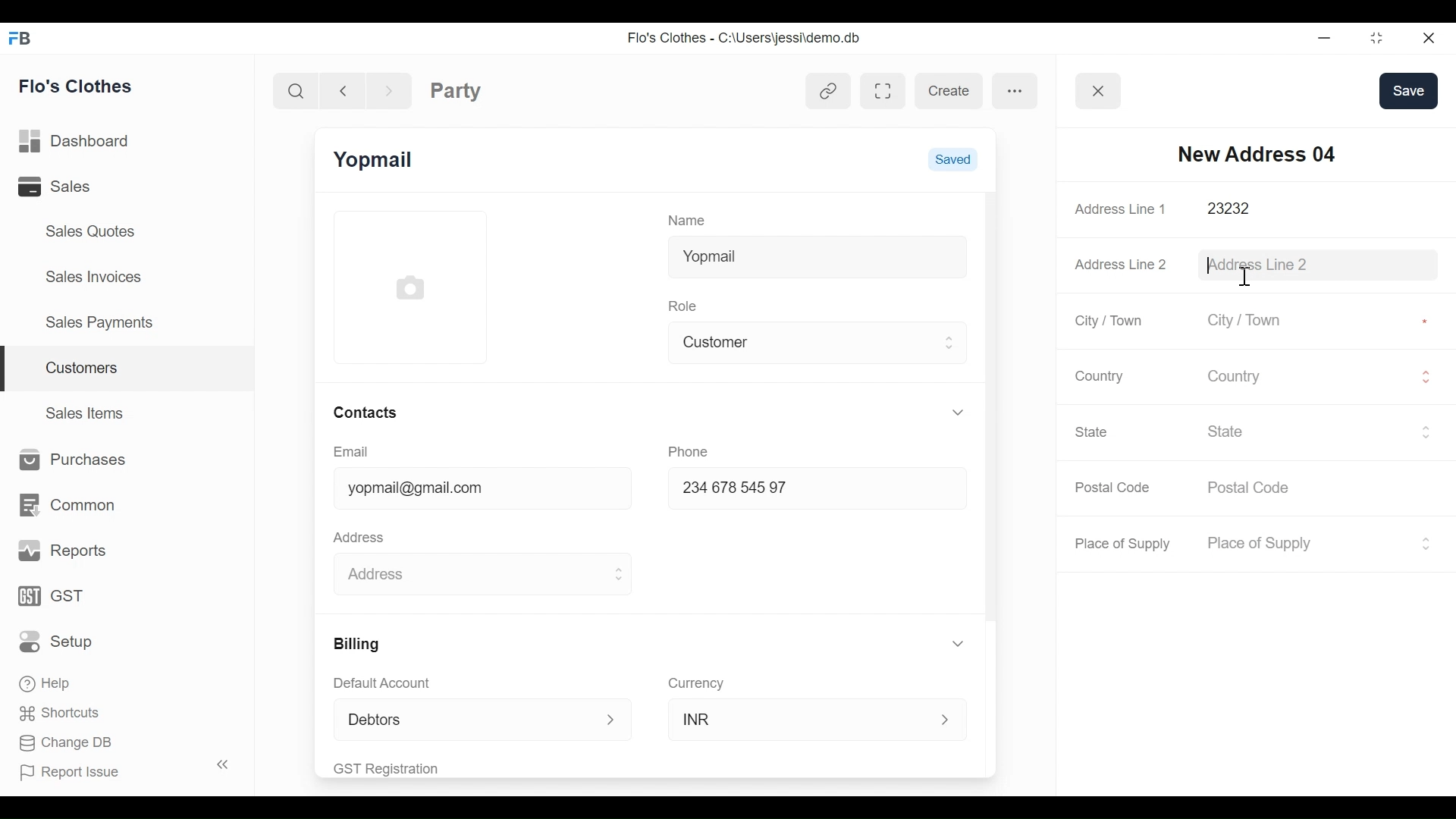 The image size is (1456, 819). I want to click on Expand, so click(947, 720).